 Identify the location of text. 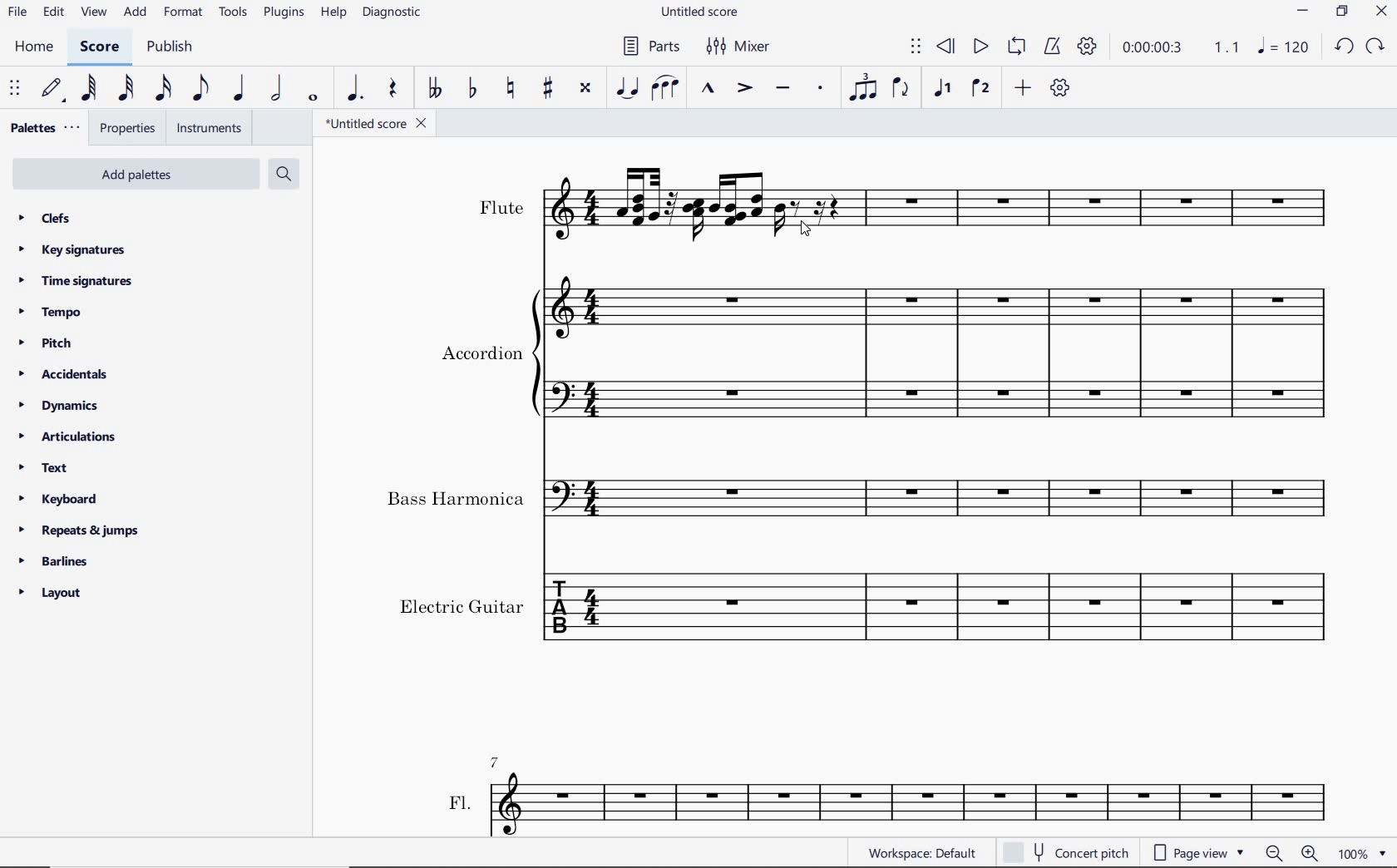
(462, 604).